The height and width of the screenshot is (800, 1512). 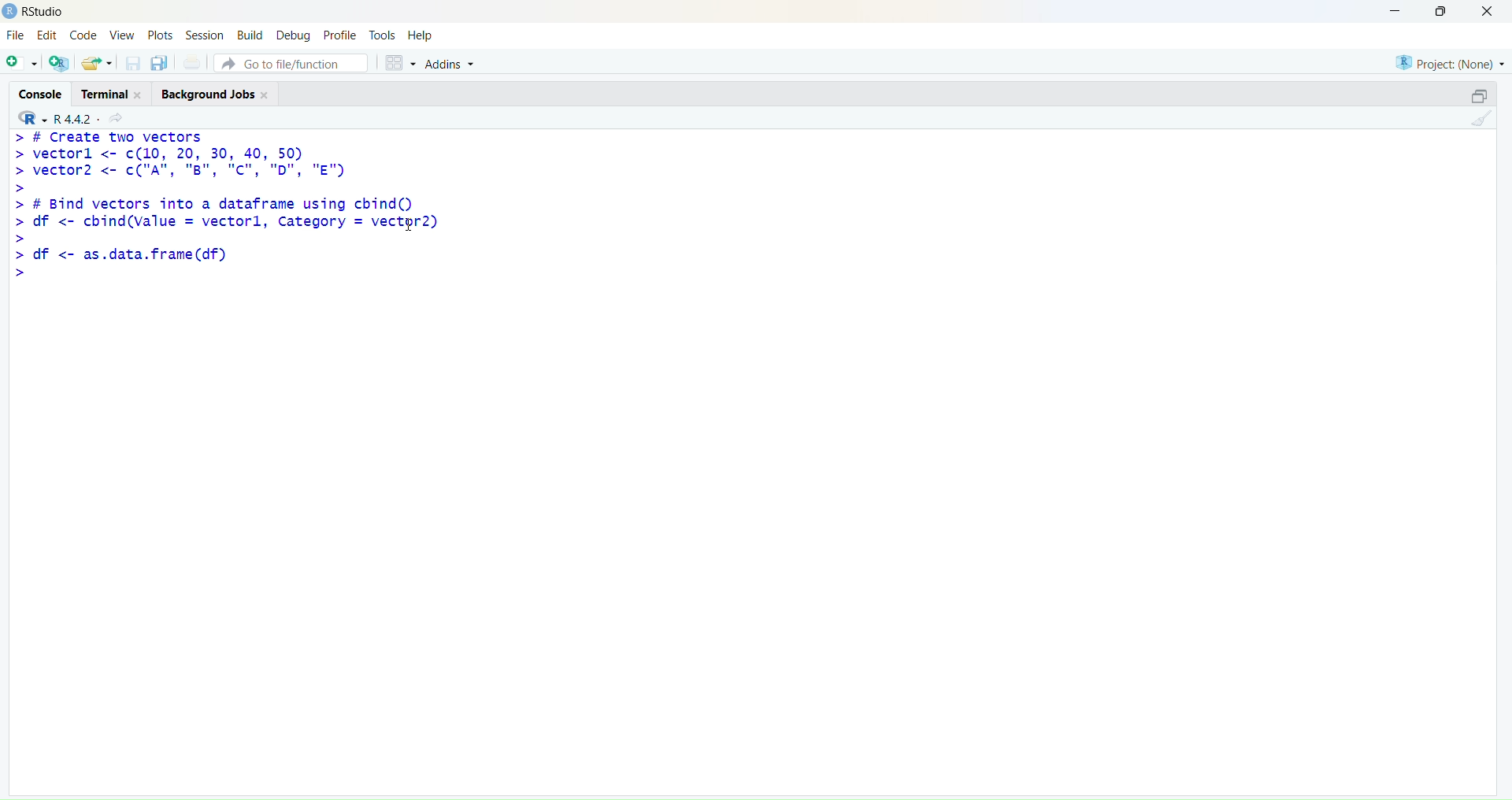 I want to click on Go to file/function, so click(x=291, y=63).